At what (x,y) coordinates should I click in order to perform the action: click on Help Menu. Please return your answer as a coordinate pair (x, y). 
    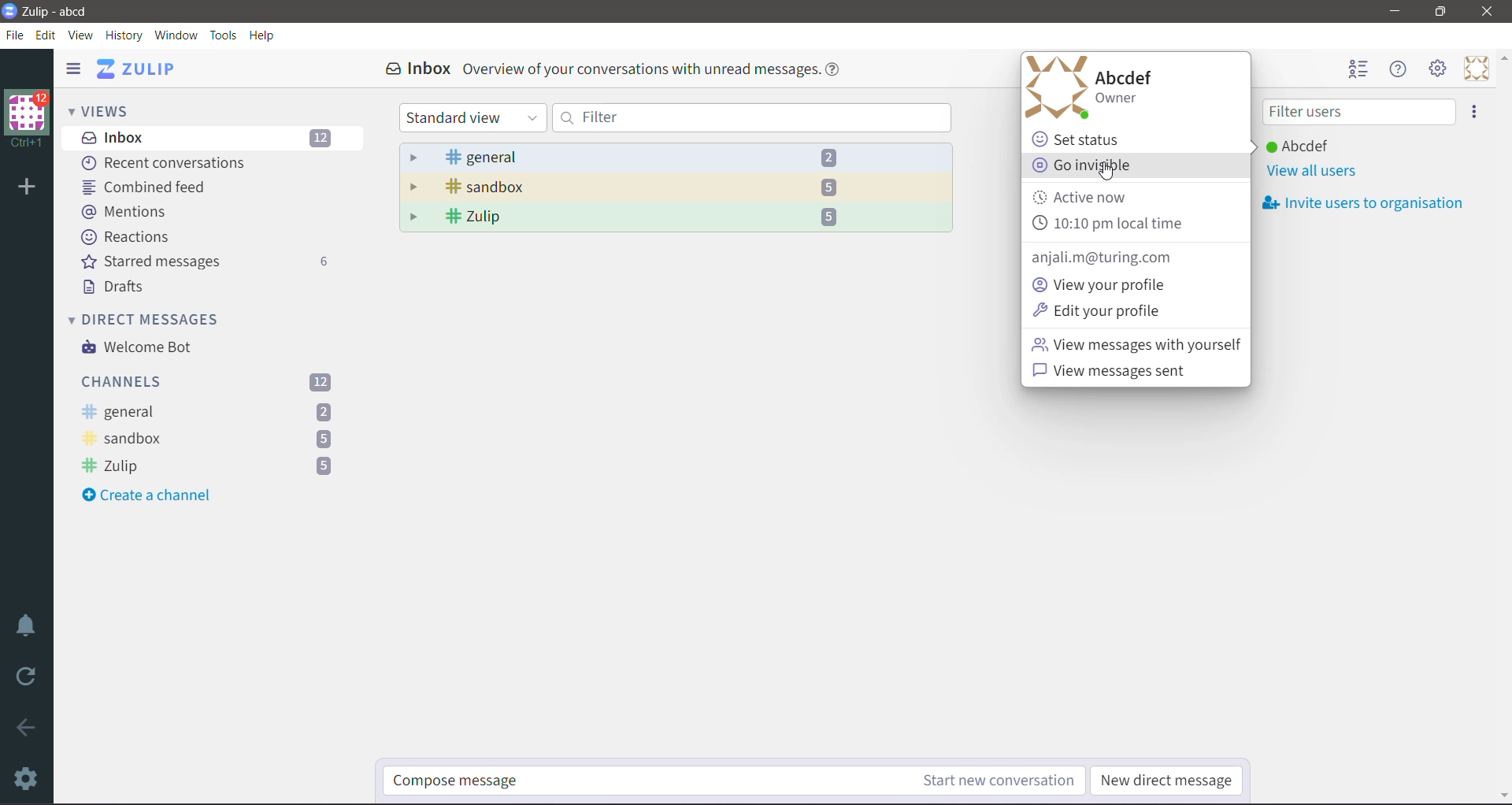
    Looking at the image, I should click on (1400, 69).